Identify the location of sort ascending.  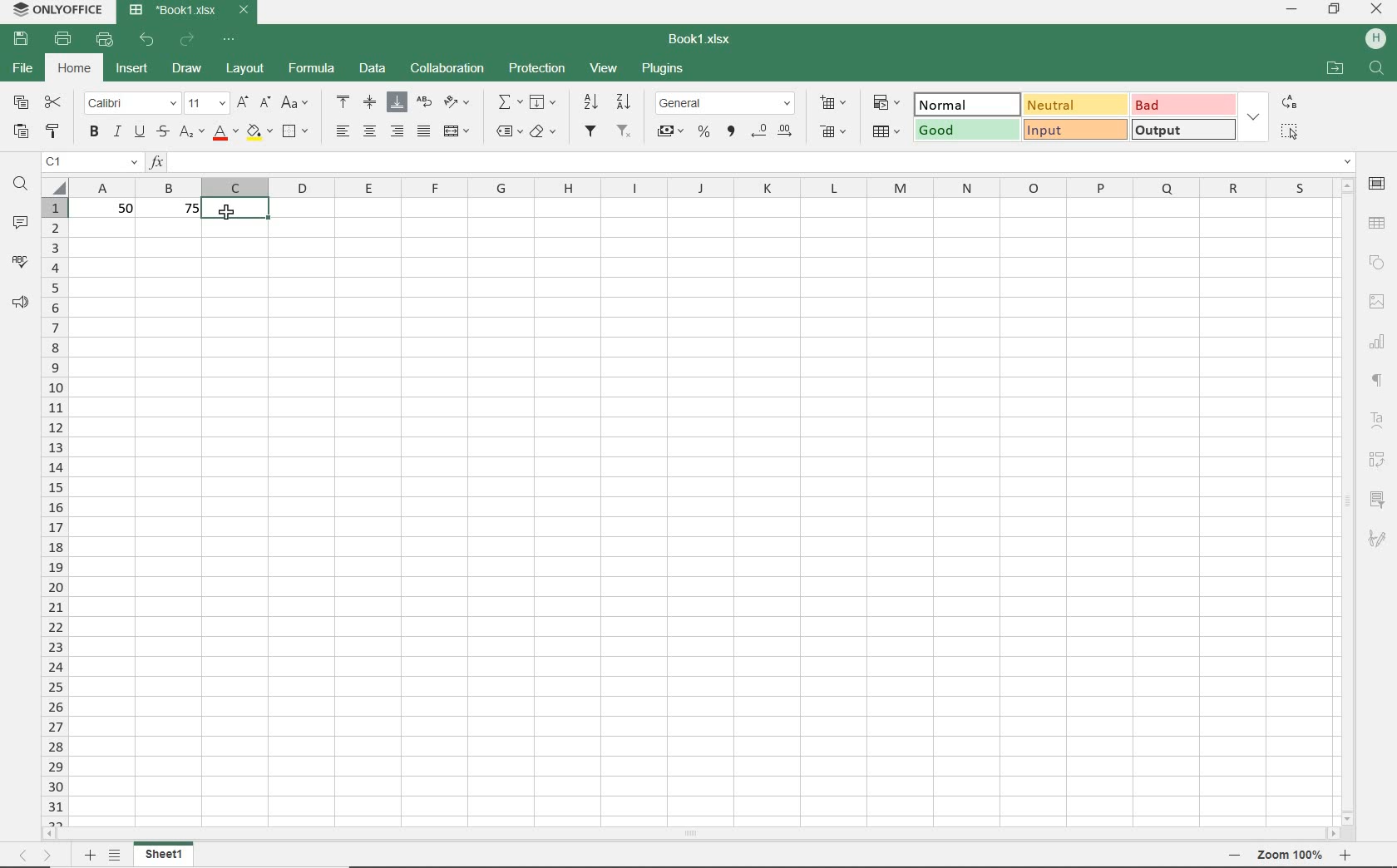
(590, 102).